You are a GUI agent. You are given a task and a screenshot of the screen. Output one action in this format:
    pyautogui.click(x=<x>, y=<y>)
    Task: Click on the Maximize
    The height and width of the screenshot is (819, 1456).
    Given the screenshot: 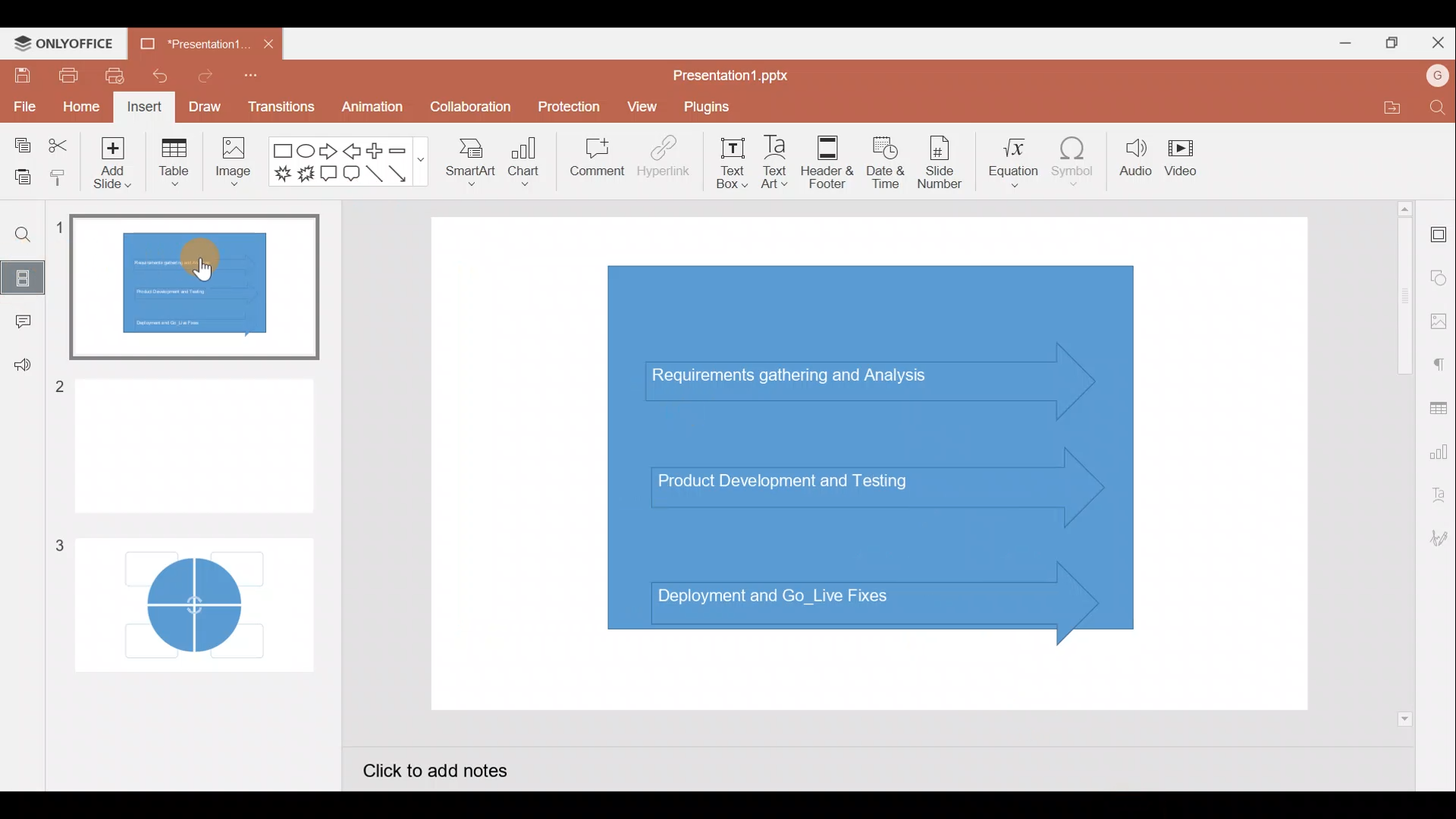 What is the action you would take?
    pyautogui.click(x=1395, y=41)
    